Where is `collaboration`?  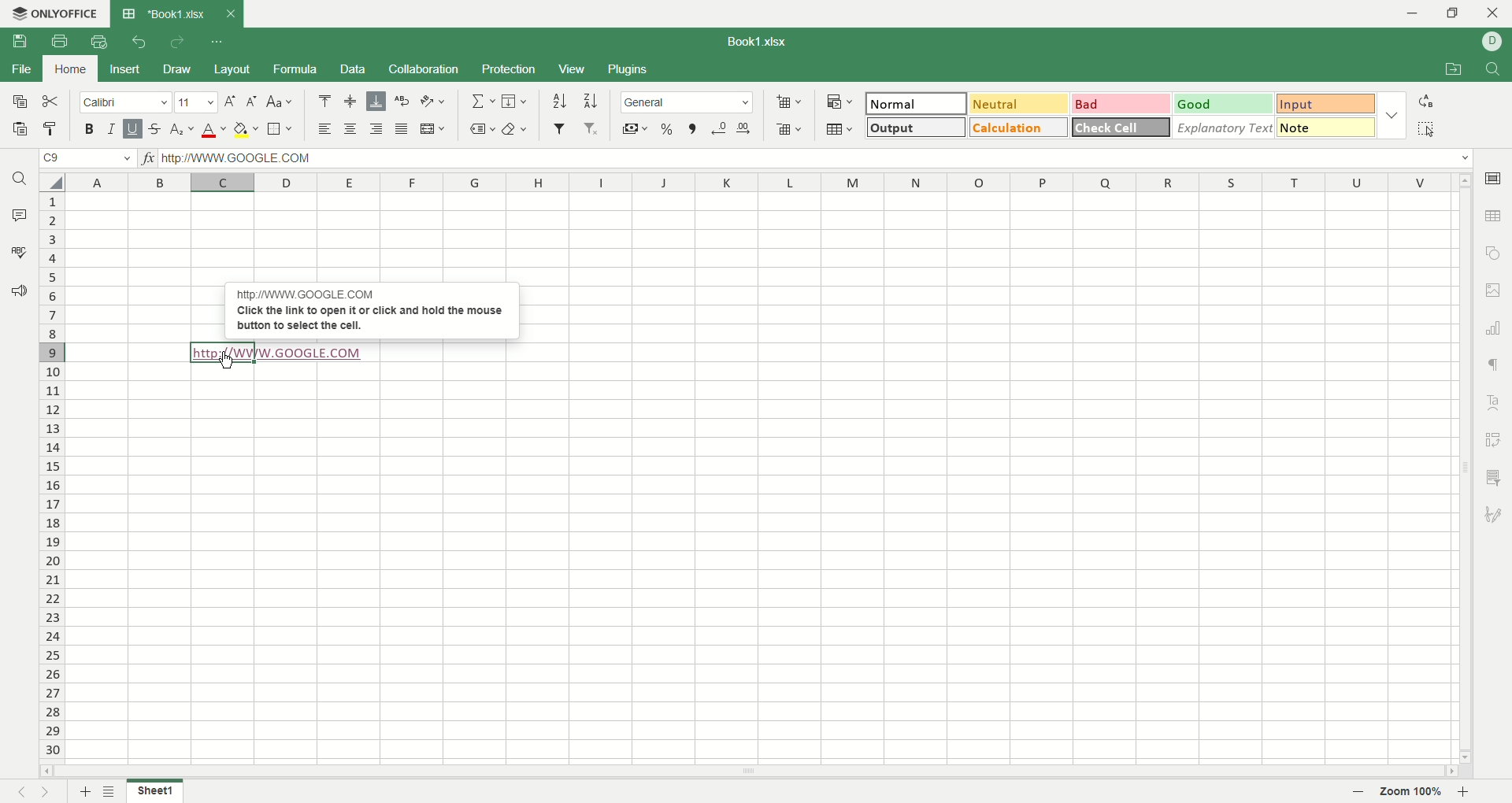
collaboration is located at coordinates (425, 68).